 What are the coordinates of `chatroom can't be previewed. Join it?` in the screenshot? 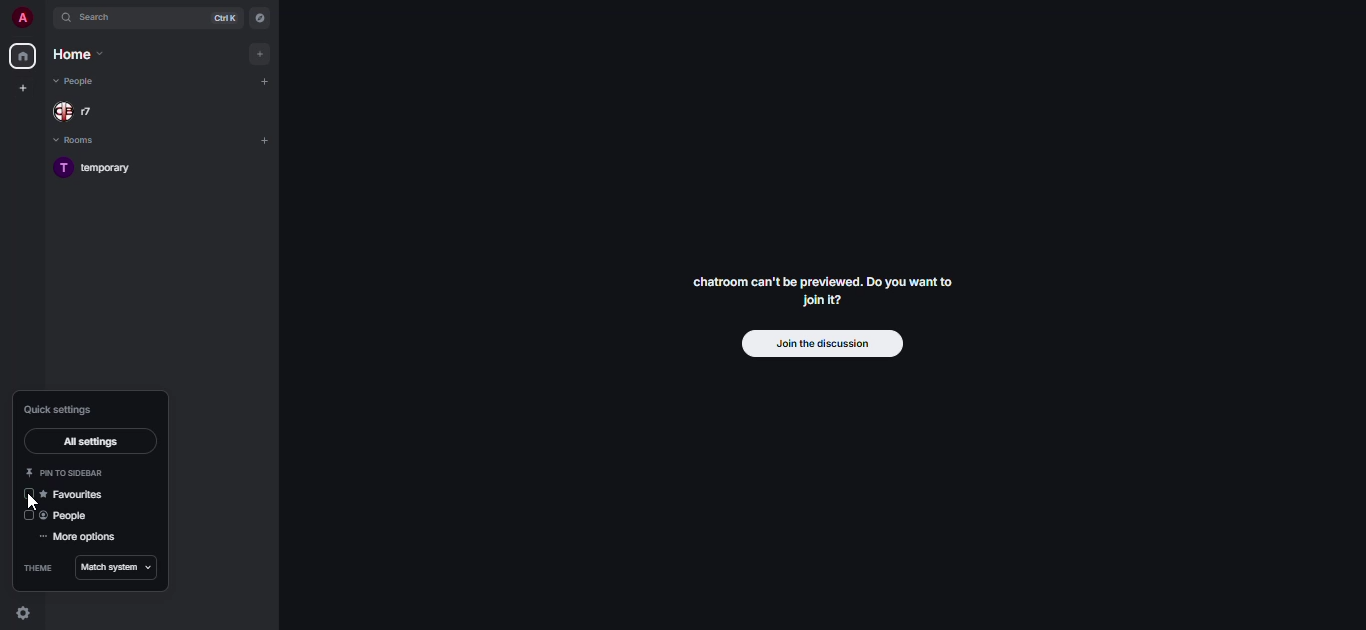 It's located at (821, 290).